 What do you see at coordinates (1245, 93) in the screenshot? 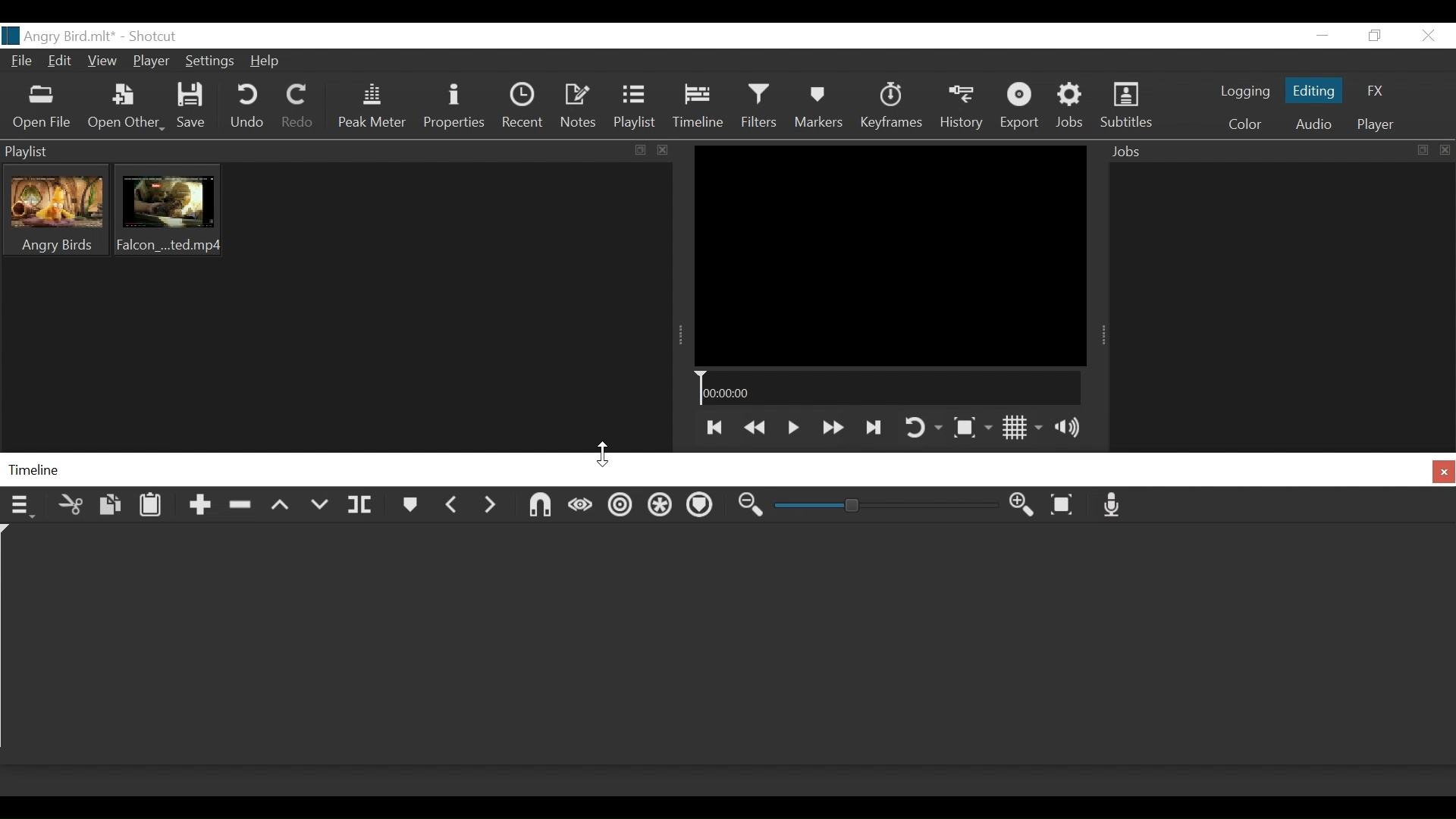
I see `logging` at bounding box center [1245, 93].